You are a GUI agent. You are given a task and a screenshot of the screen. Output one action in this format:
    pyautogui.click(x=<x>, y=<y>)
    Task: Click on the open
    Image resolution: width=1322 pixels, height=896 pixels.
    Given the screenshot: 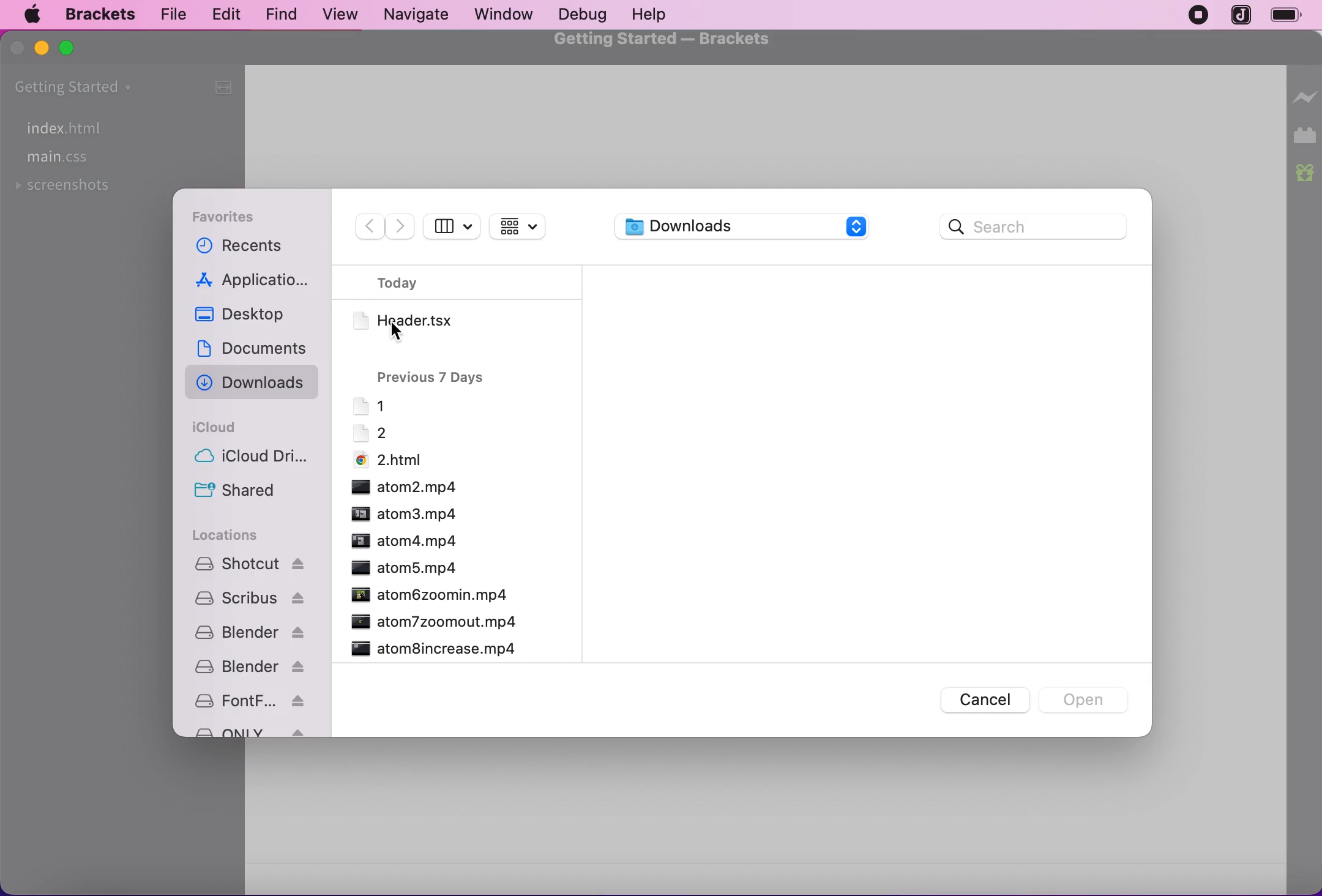 What is the action you would take?
    pyautogui.click(x=1086, y=698)
    